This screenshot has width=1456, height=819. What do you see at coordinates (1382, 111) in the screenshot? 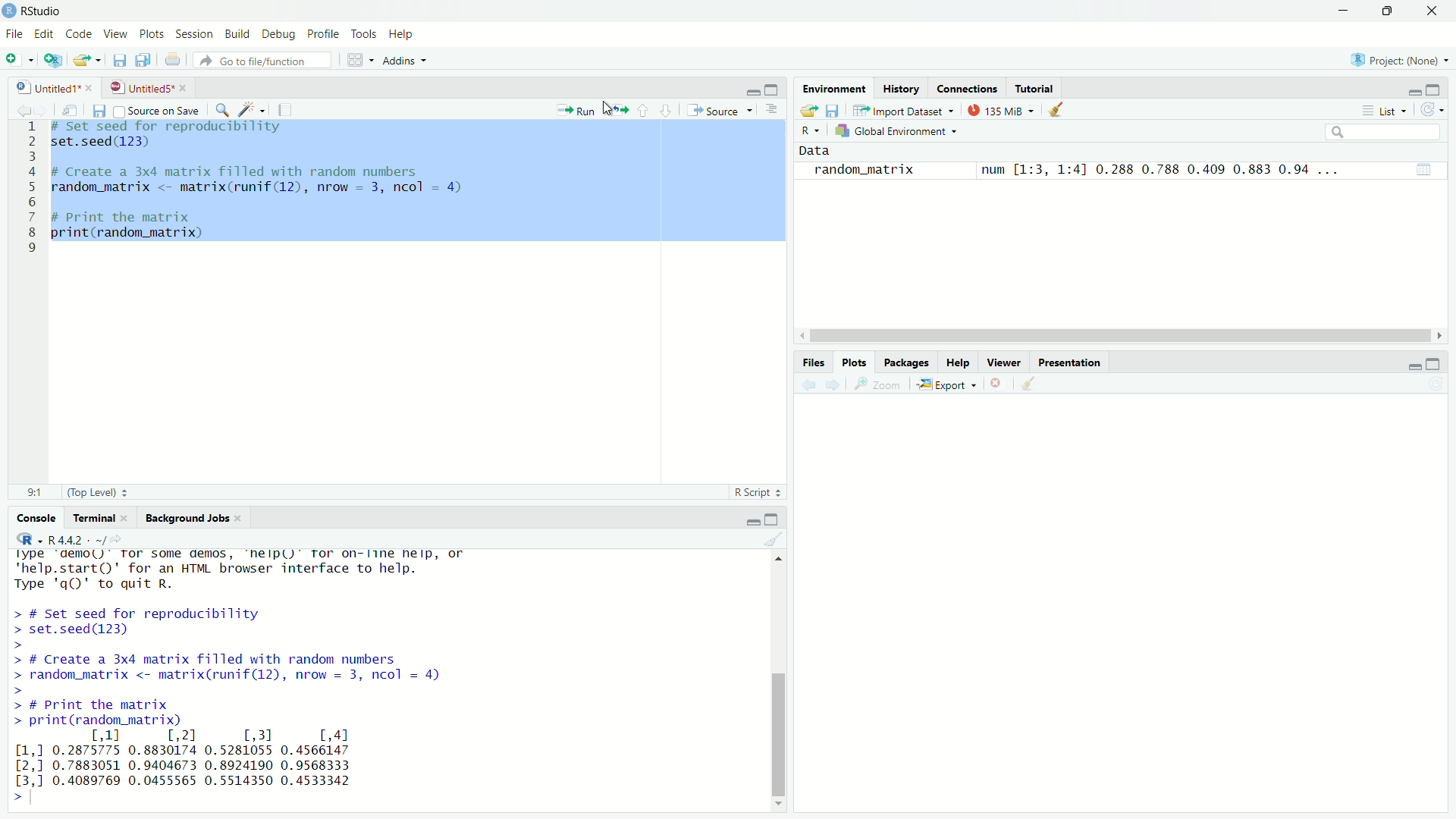
I see `List ~` at bounding box center [1382, 111].